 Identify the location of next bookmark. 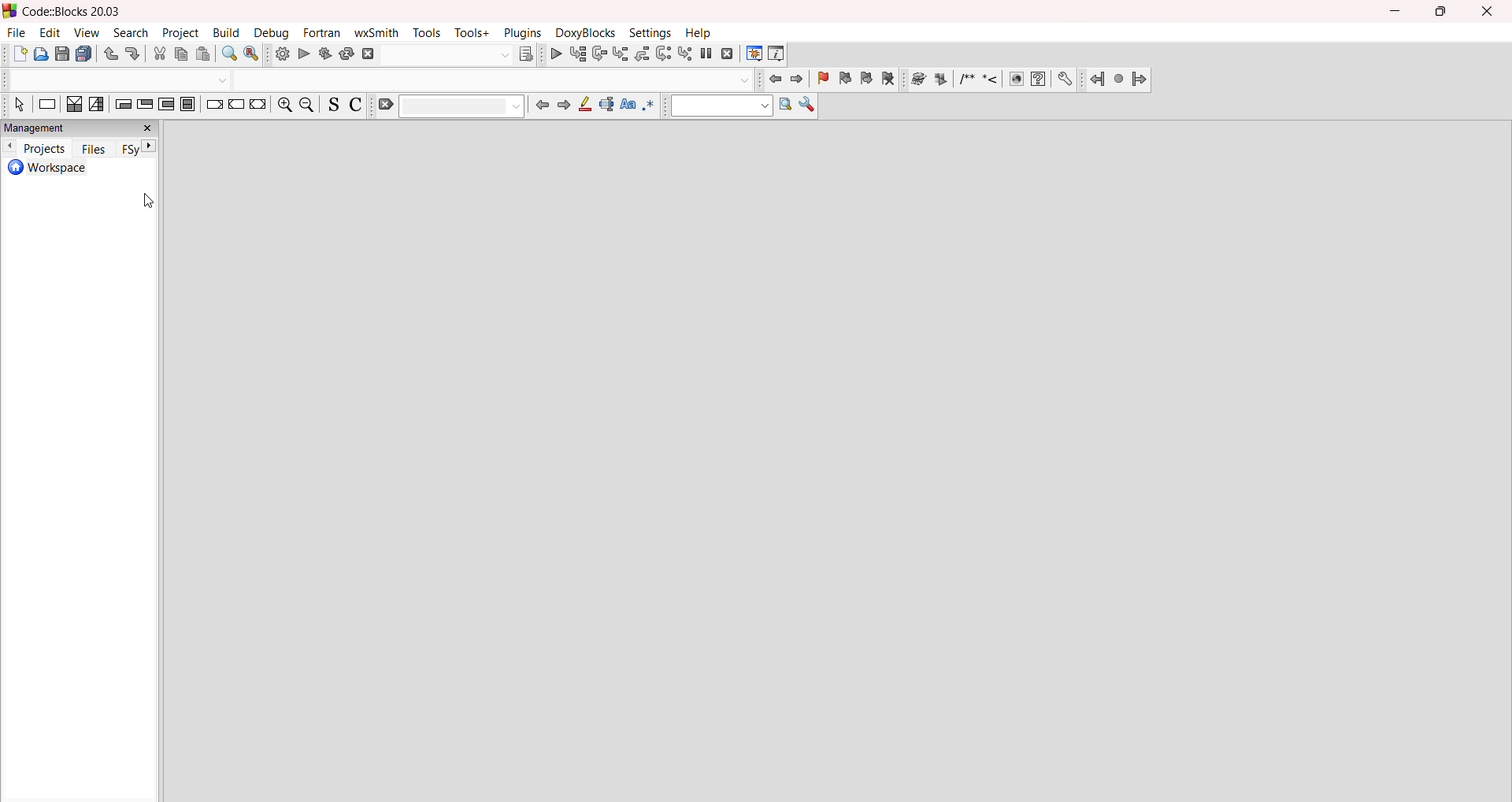
(869, 80).